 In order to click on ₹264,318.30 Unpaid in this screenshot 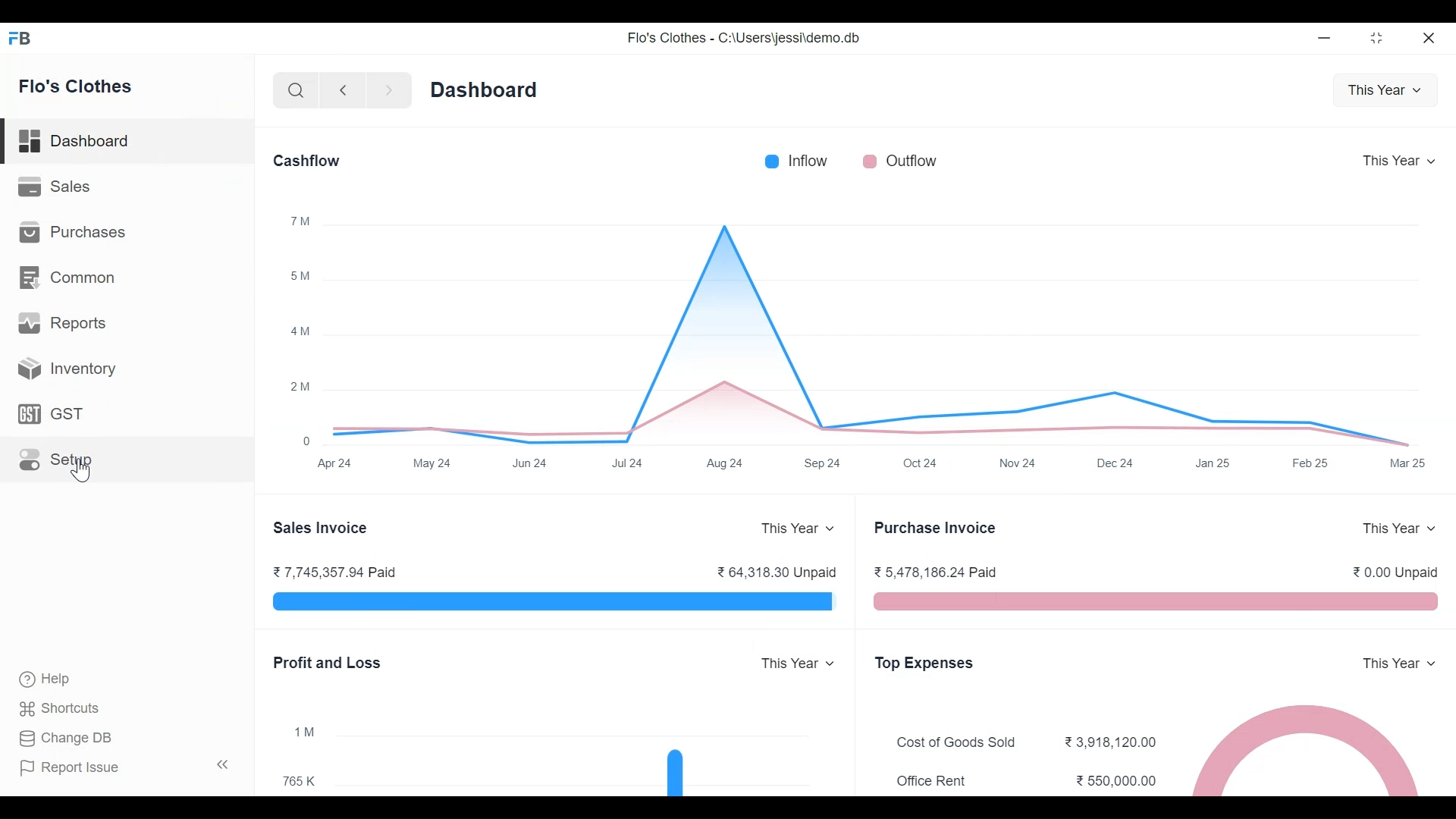, I will do `click(768, 574)`.